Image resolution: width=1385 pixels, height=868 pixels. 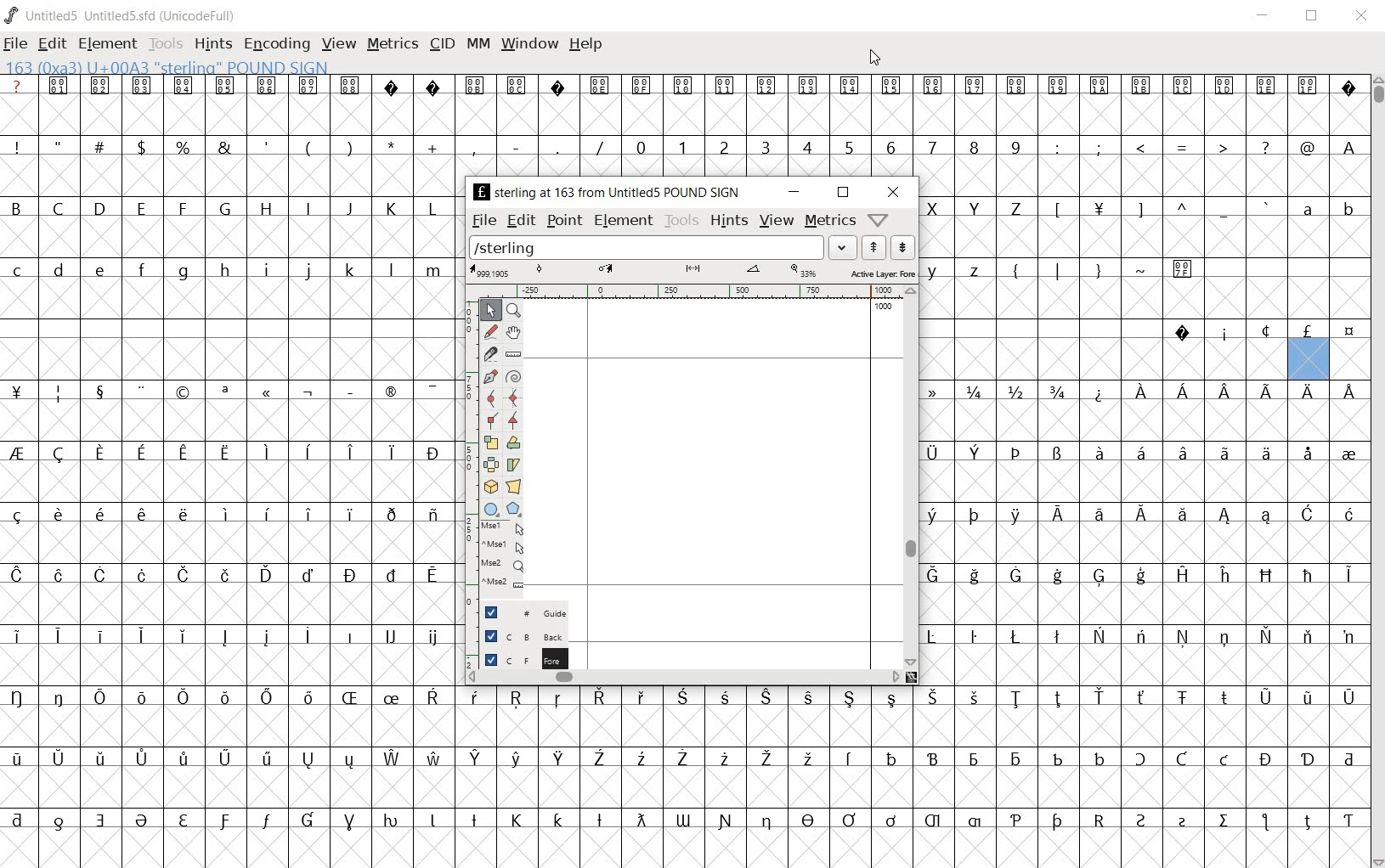 I want to click on Symbol, so click(x=307, y=451).